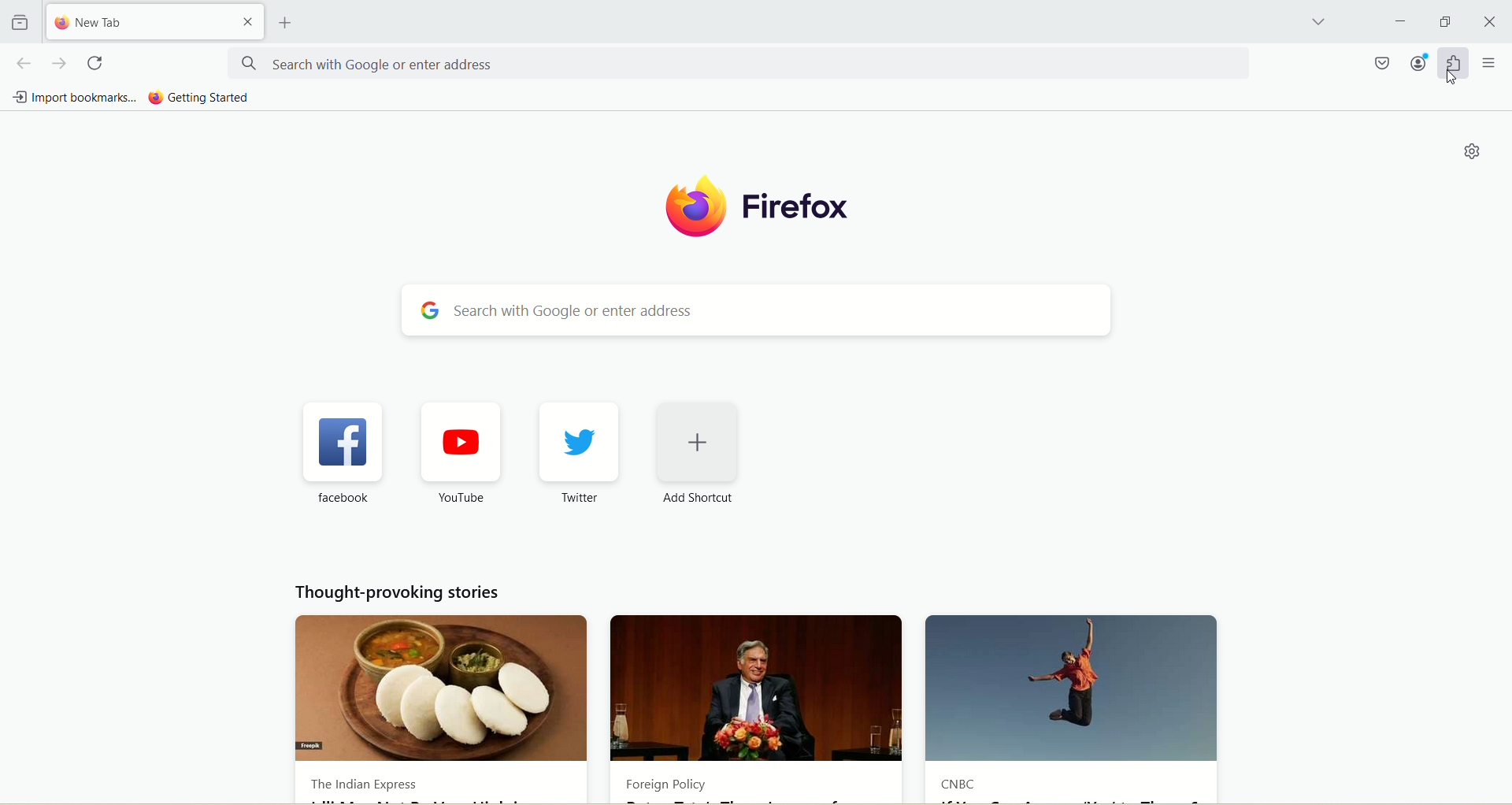 This screenshot has width=1512, height=805. What do you see at coordinates (758, 707) in the screenshot?
I see `Foreign Policy` at bounding box center [758, 707].